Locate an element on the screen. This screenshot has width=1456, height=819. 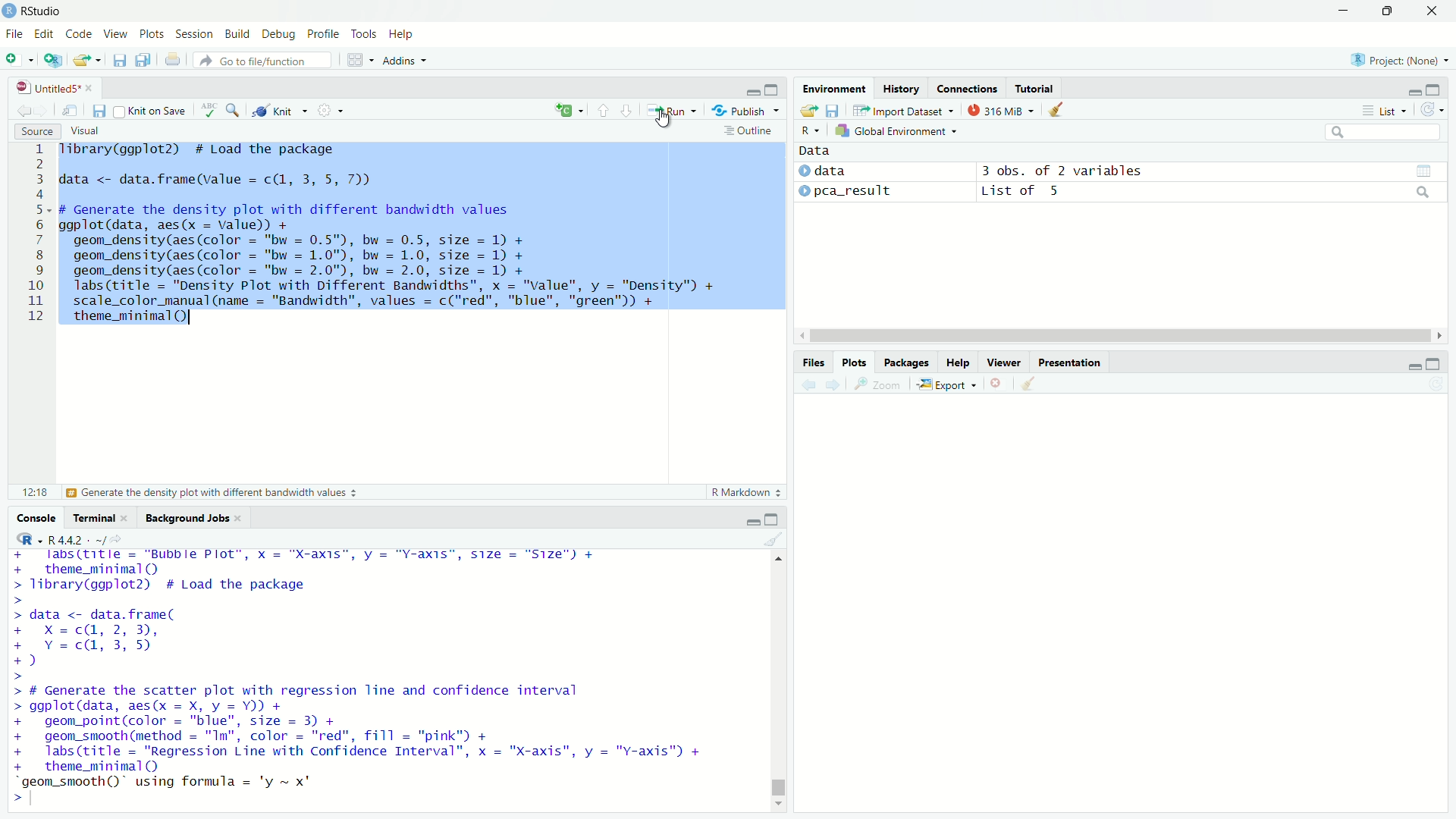
Clear all plots is located at coordinates (1028, 384).